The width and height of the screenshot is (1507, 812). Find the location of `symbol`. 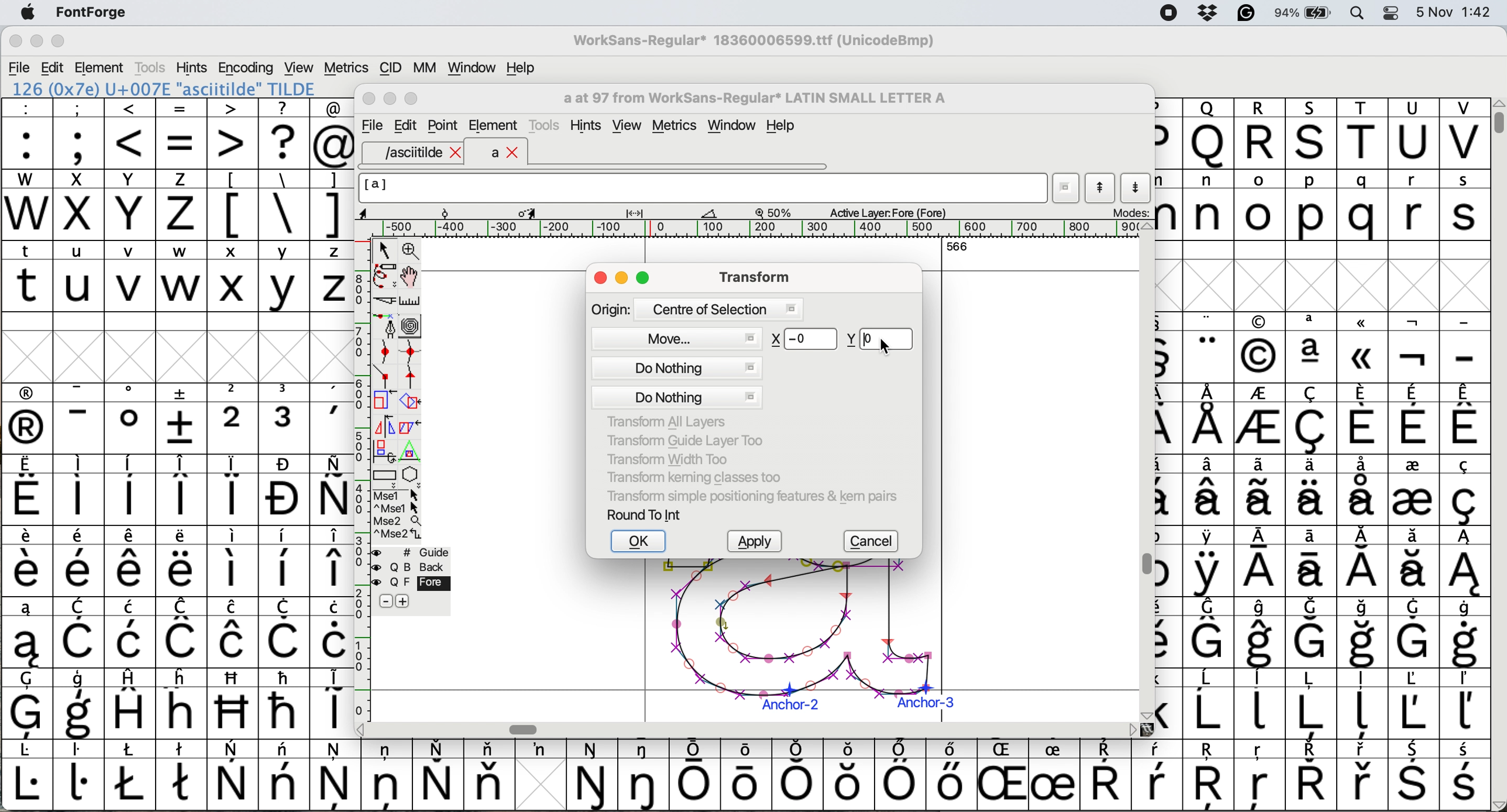

symbol is located at coordinates (1363, 418).